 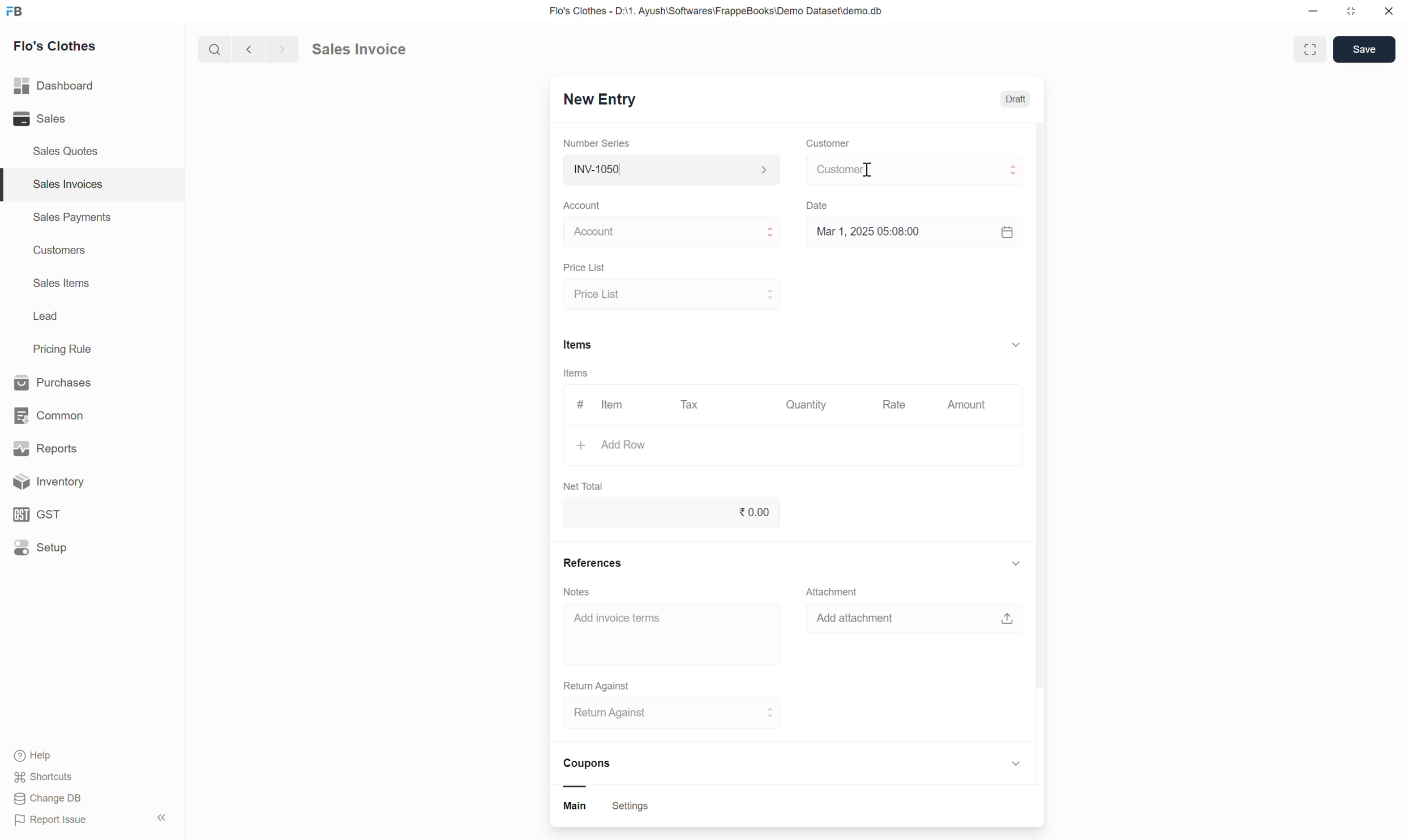 What do you see at coordinates (827, 144) in the screenshot?
I see `Customer` at bounding box center [827, 144].